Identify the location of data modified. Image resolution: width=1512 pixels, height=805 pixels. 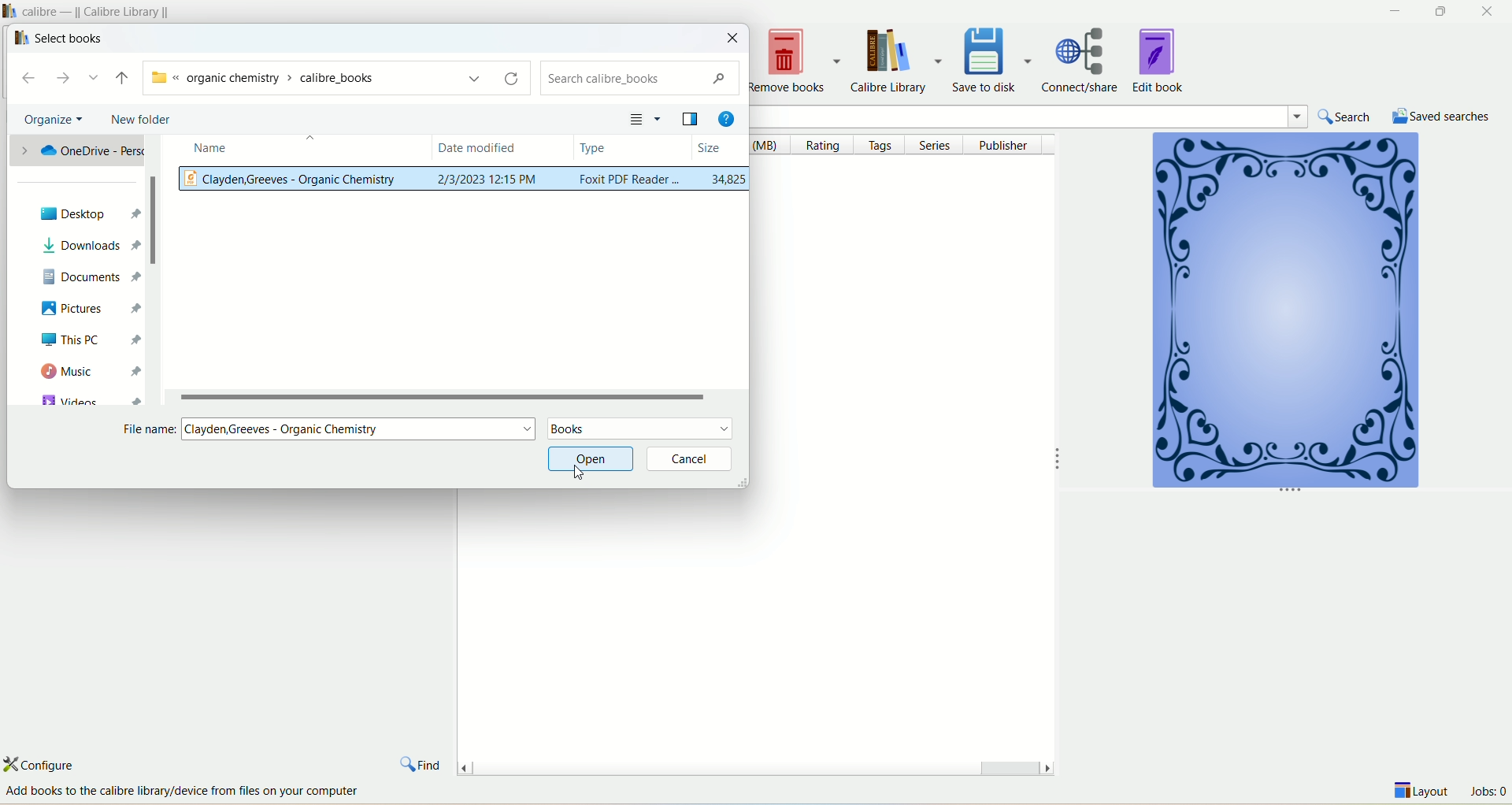
(503, 149).